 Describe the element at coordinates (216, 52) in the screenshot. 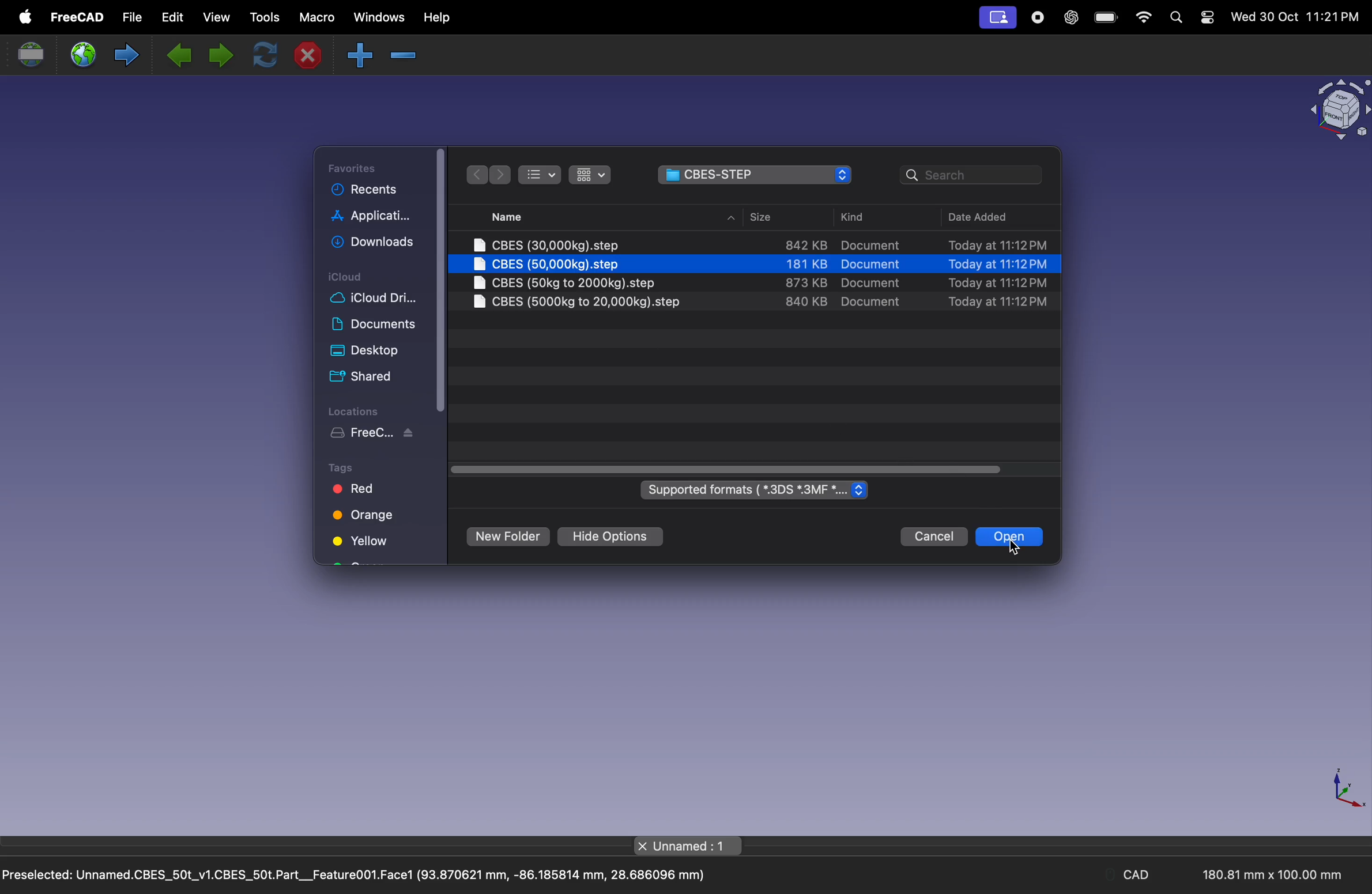

I see `next page` at that location.